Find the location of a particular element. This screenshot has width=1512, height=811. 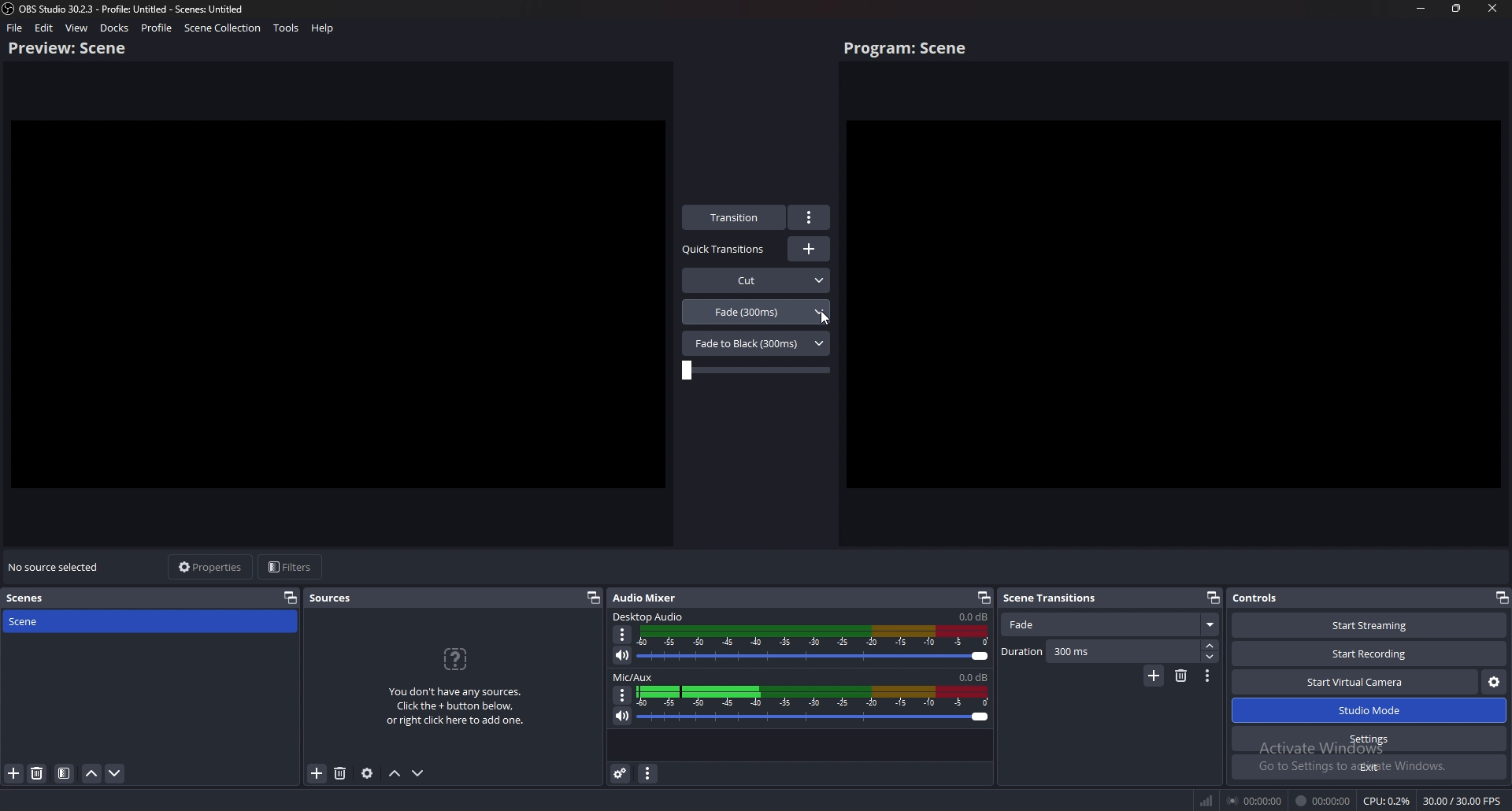

pop out is located at coordinates (1500, 597).